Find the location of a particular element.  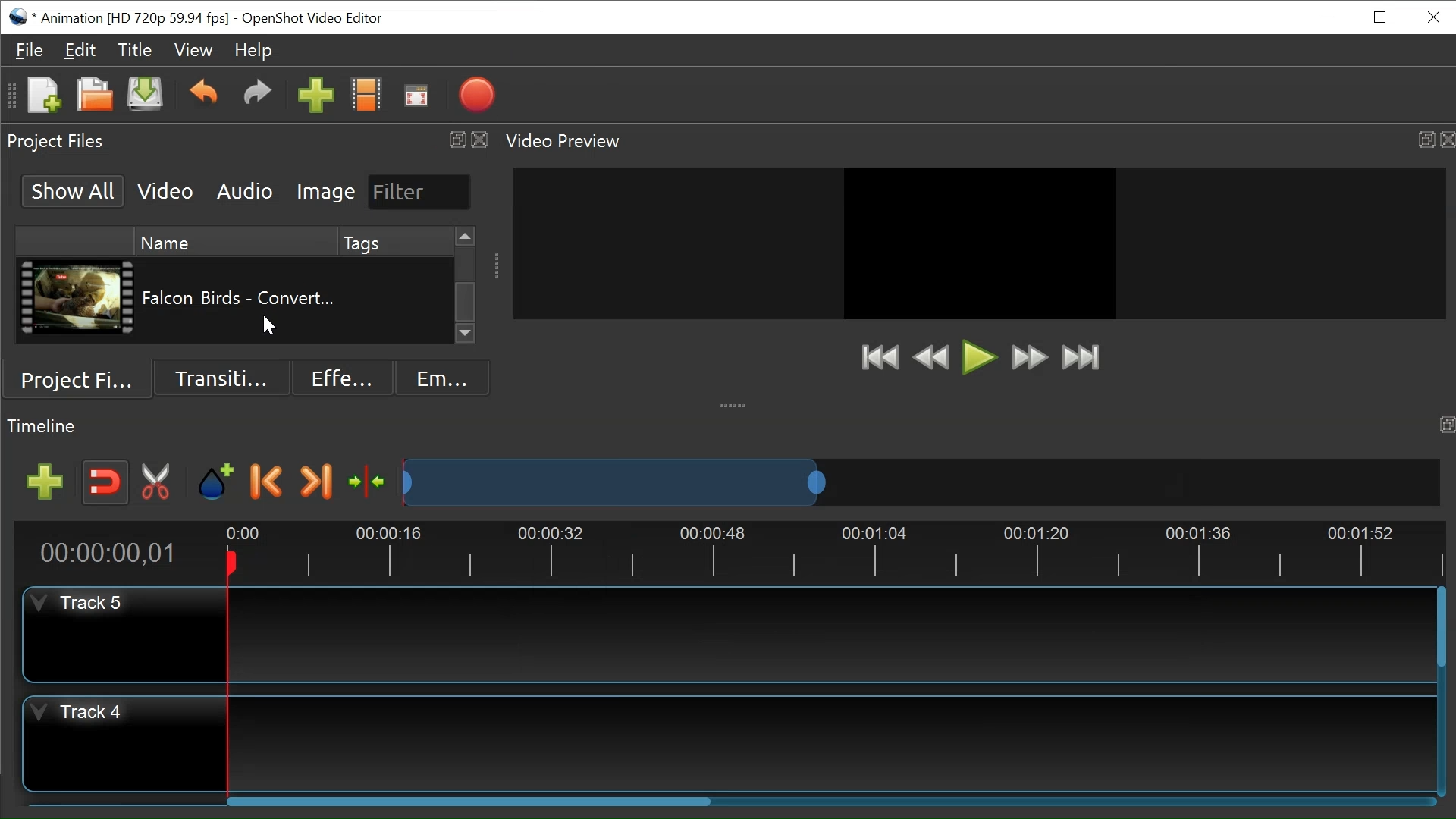

Image is located at coordinates (326, 191).